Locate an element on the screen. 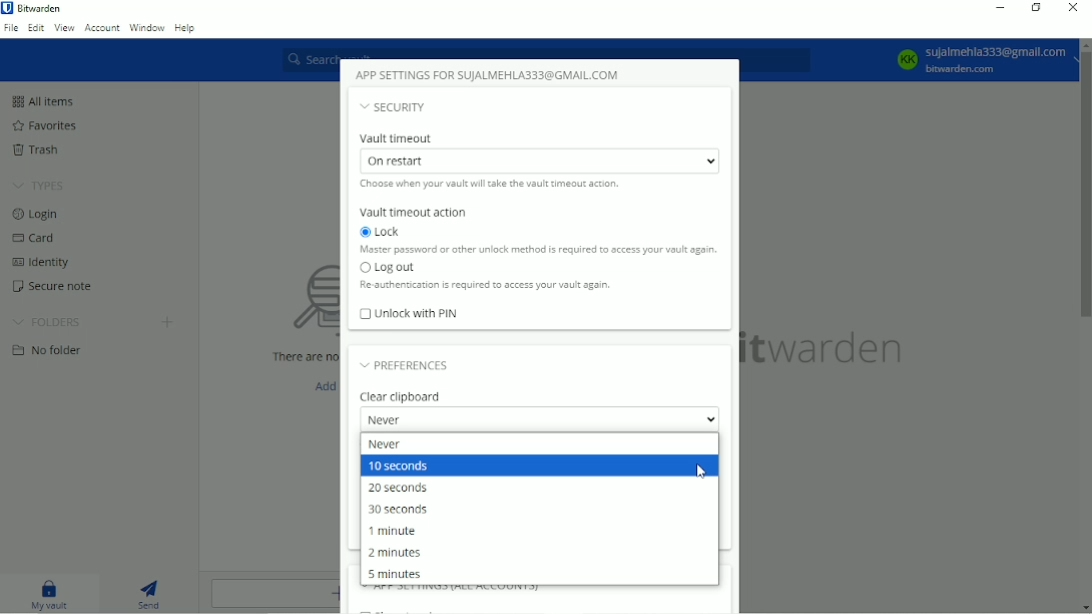  Vault timeout action is located at coordinates (417, 213).